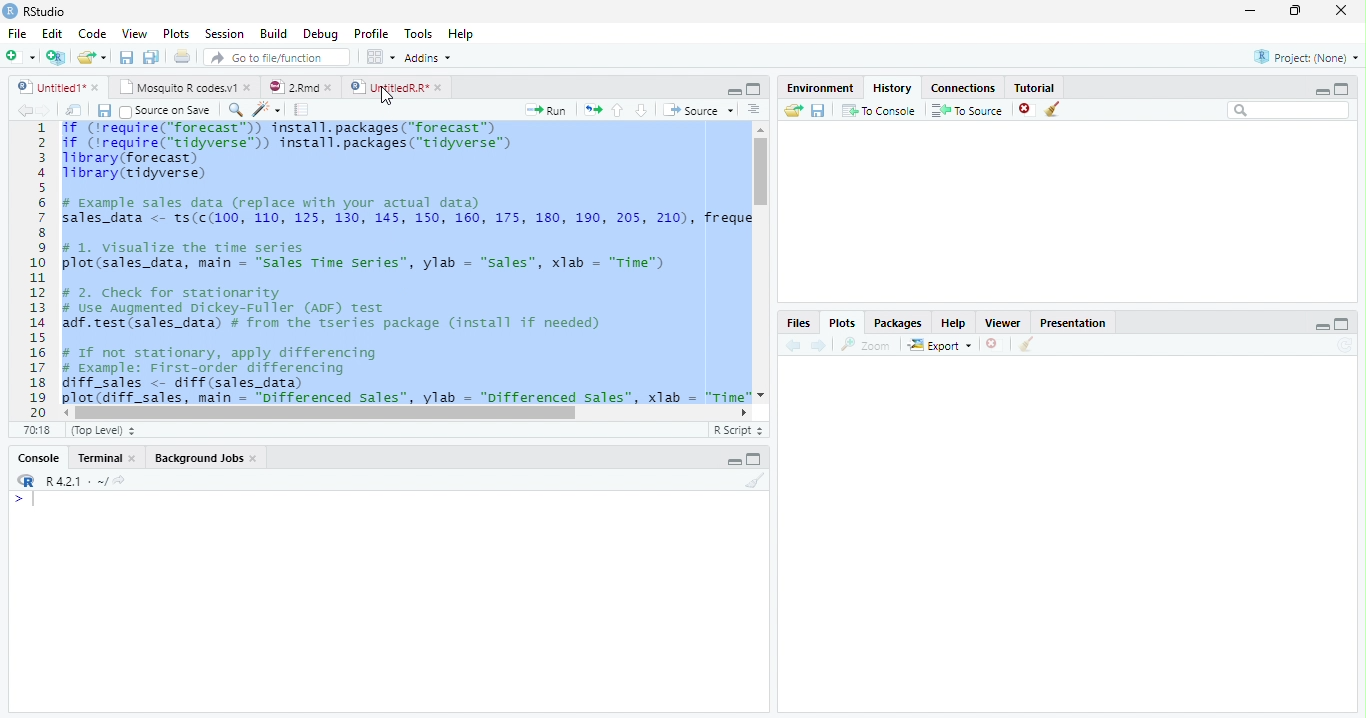 This screenshot has width=1366, height=718. I want to click on Profile, so click(372, 35).